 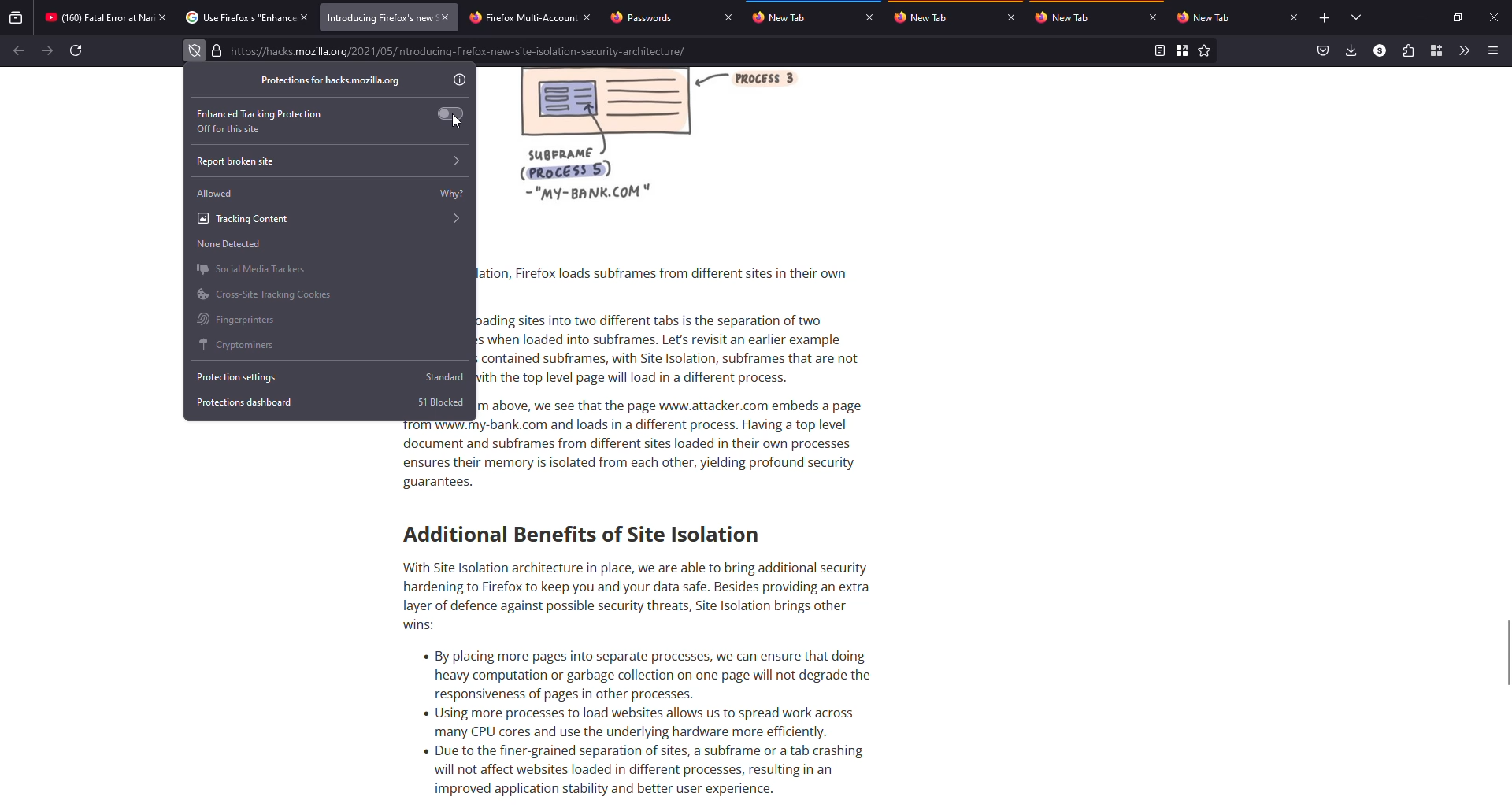 What do you see at coordinates (251, 268) in the screenshot?
I see `social media trackers` at bounding box center [251, 268].